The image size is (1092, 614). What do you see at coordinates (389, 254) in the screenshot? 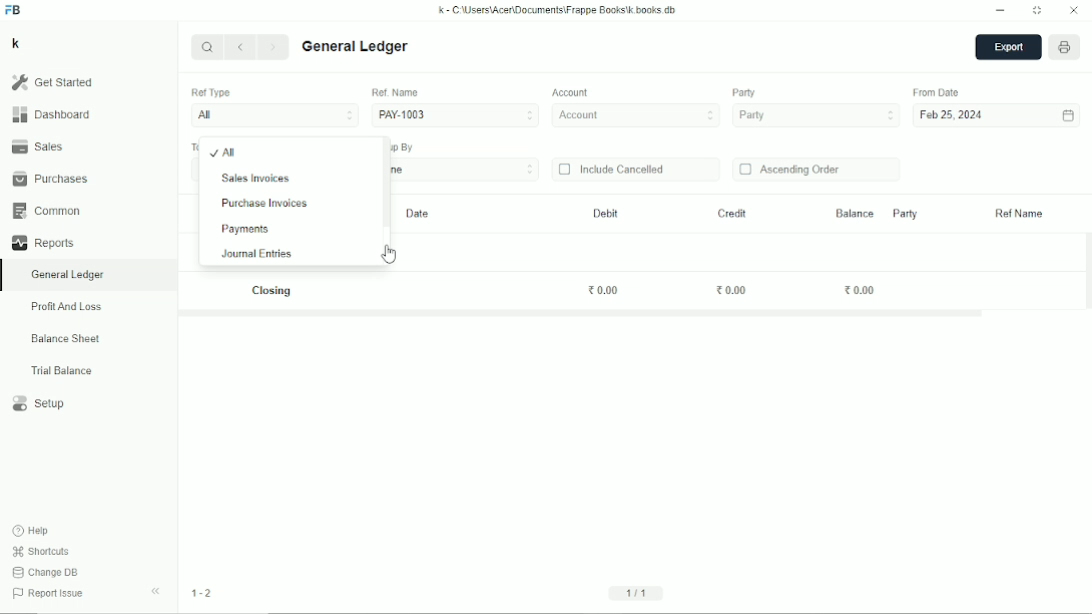
I see `Cursor` at bounding box center [389, 254].